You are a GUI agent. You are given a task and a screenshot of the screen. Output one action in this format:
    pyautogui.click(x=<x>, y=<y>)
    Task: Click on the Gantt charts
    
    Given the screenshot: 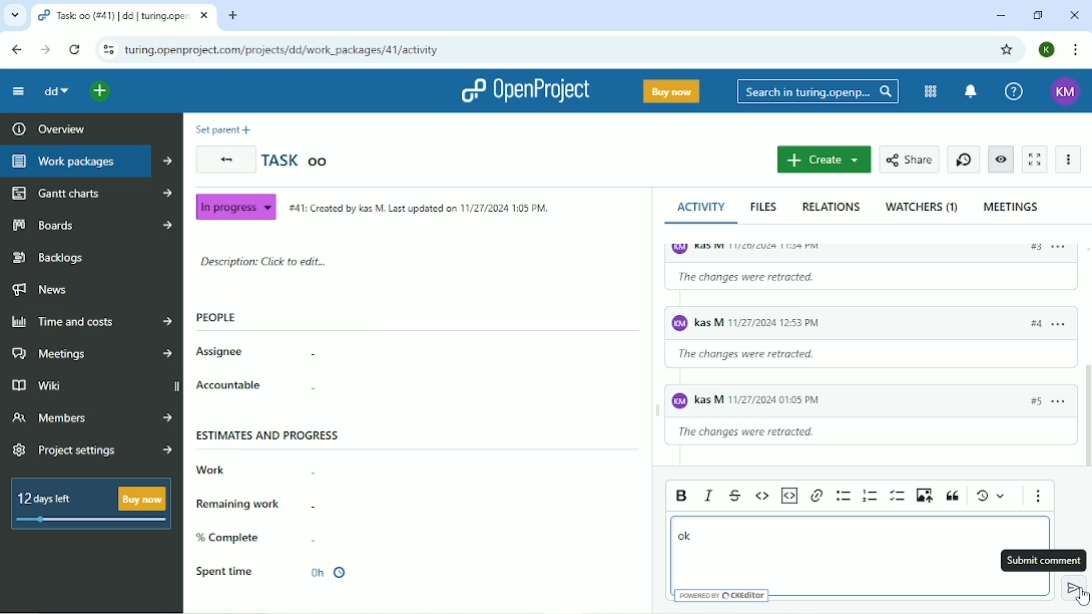 What is the action you would take?
    pyautogui.click(x=90, y=193)
    